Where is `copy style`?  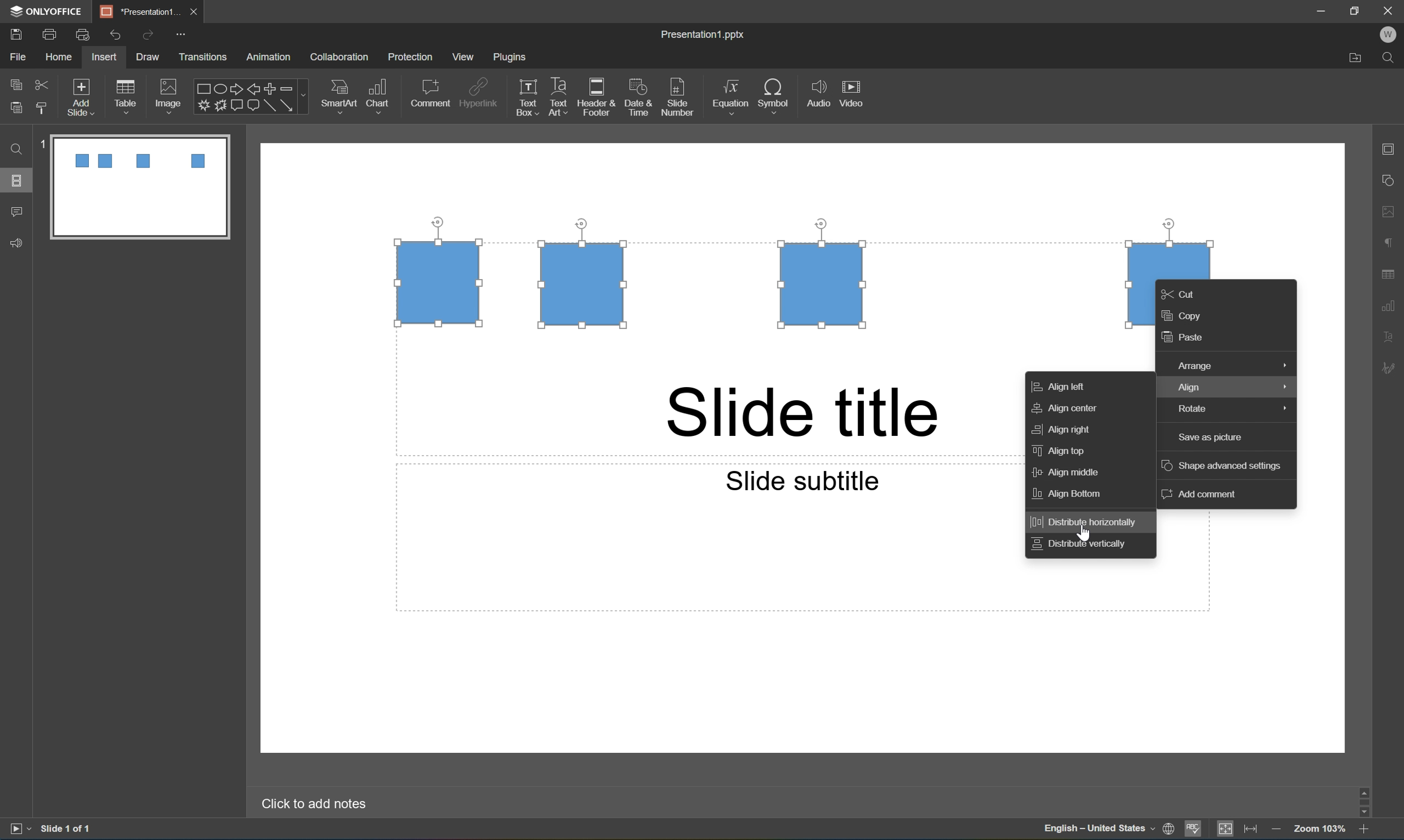 copy style is located at coordinates (42, 108).